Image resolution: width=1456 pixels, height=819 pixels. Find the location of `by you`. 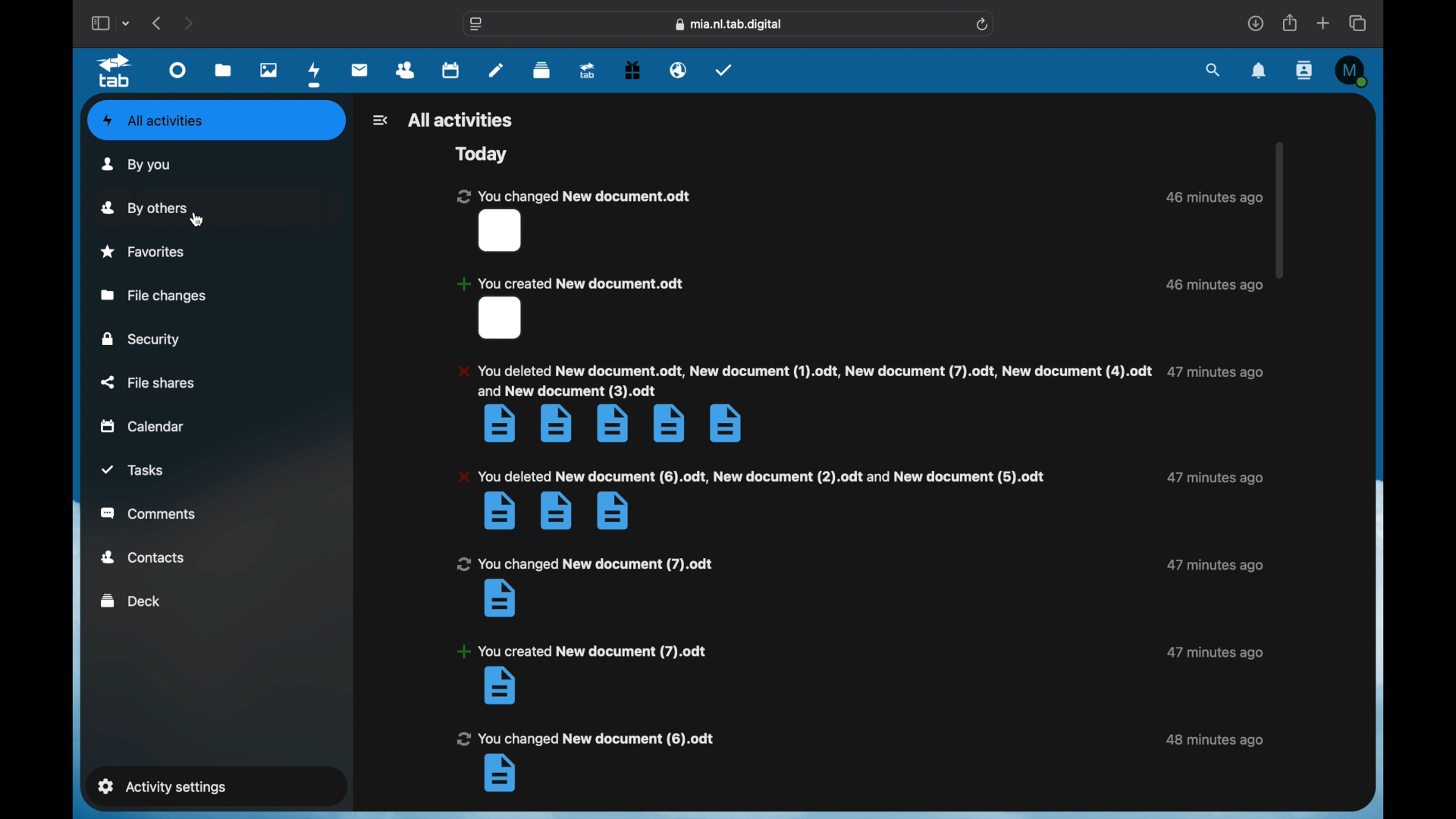

by you is located at coordinates (136, 165).